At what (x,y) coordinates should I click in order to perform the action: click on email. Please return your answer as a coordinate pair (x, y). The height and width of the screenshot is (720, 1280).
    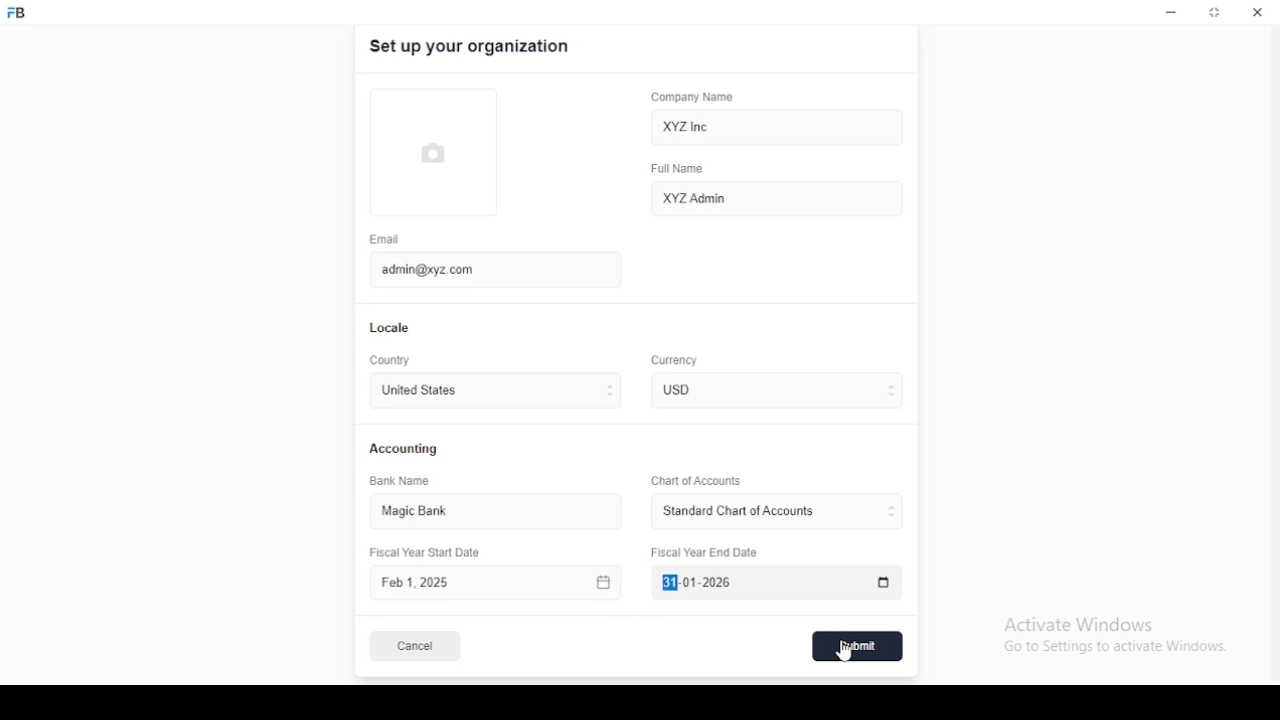
    Looking at the image, I should click on (385, 239).